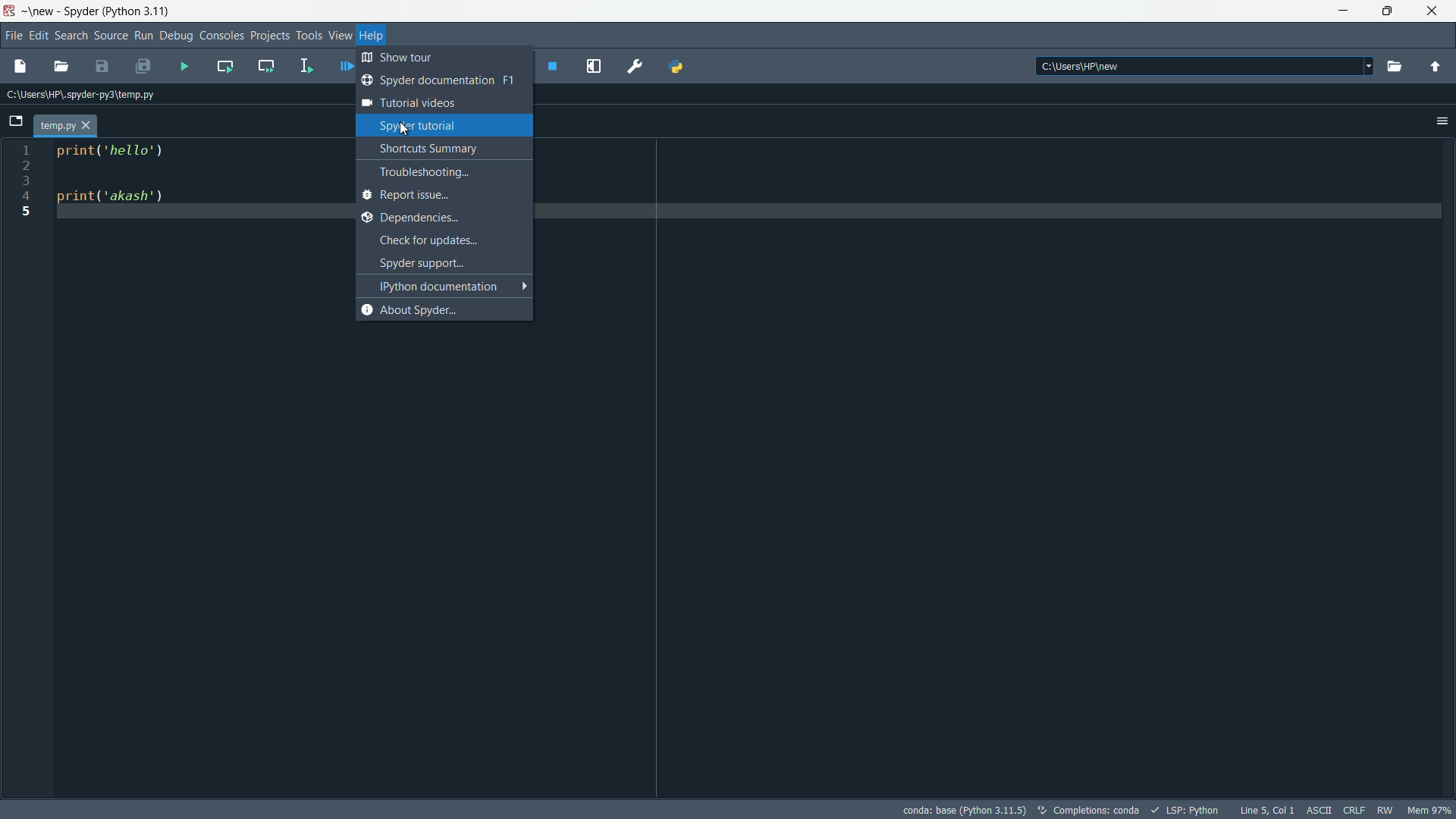  Describe the element at coordinates (443, 173) in the screenshot. I see `troubleshooting` at that location.